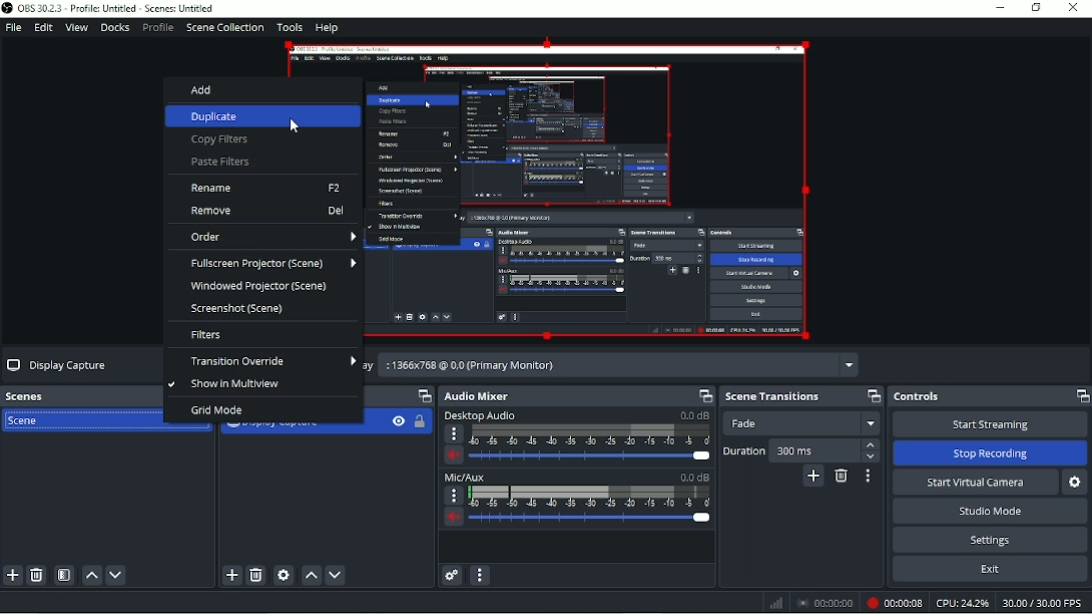 Image resolution: width=1092 pixels, height=614 pixels. Describe the element at coordinates (208, 334) in the screenshot. I see `Filters` at that location.